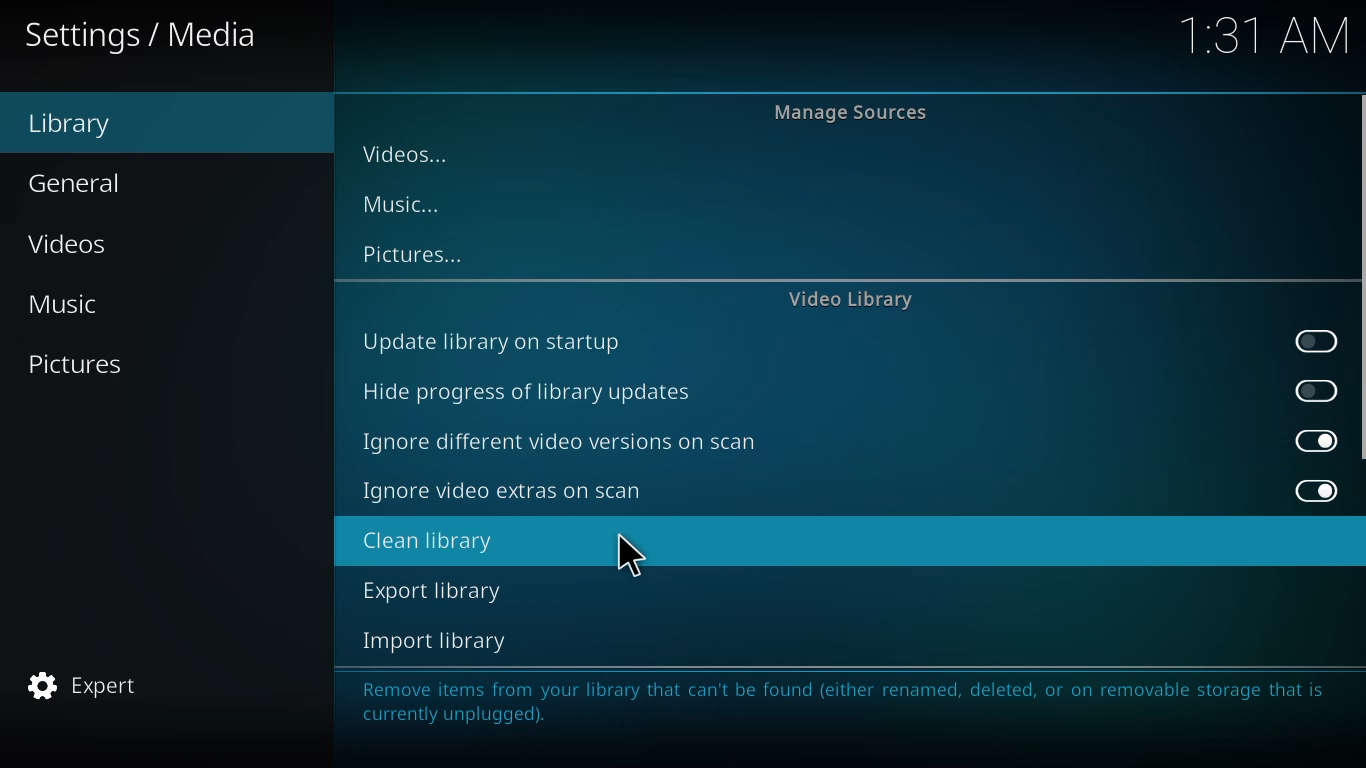 This screenshot has width=1366, height=768. I want to click on Pictures, so click(83, 370).